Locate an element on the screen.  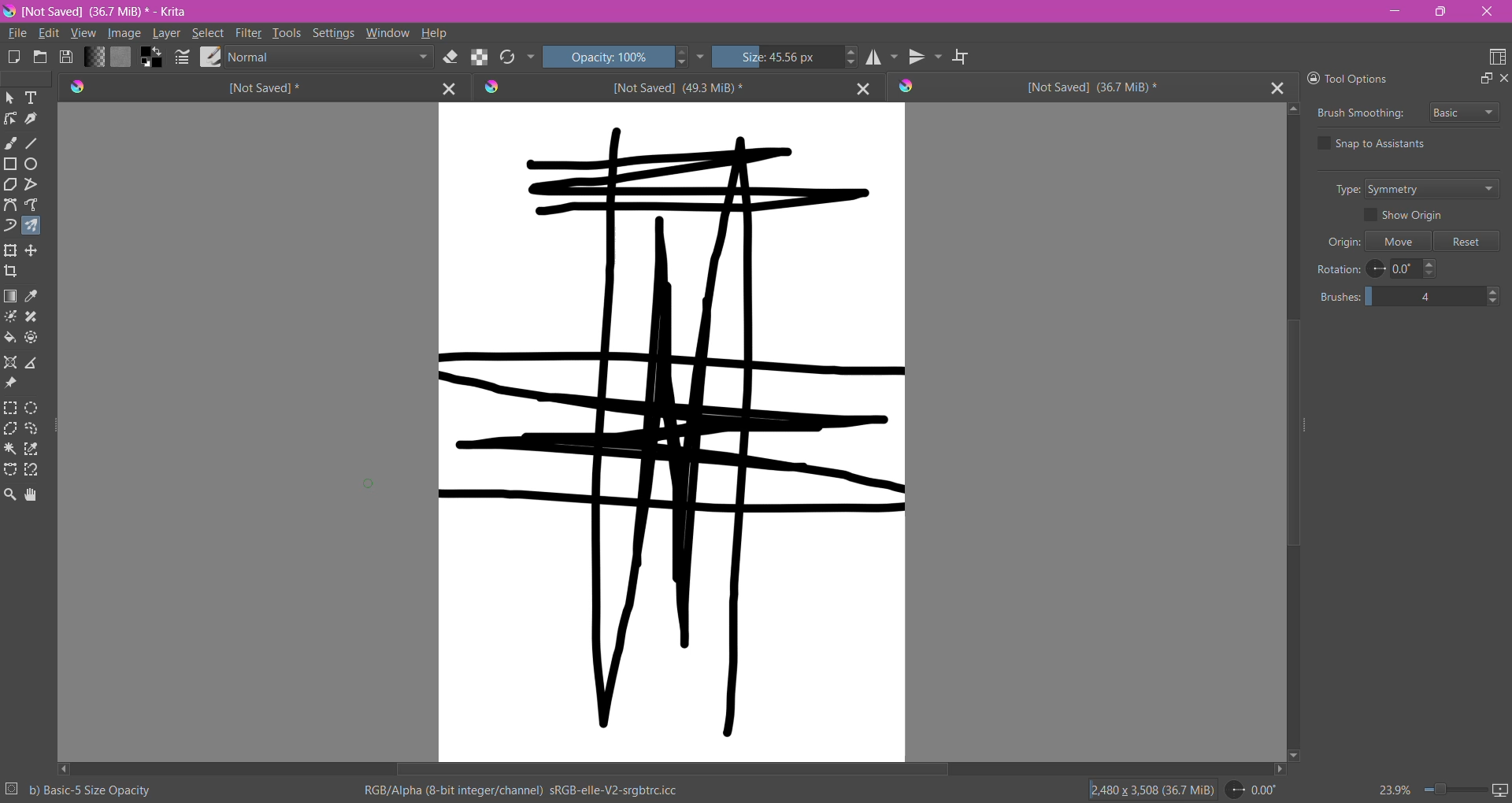
Edit is located at coordinates (48, 33).